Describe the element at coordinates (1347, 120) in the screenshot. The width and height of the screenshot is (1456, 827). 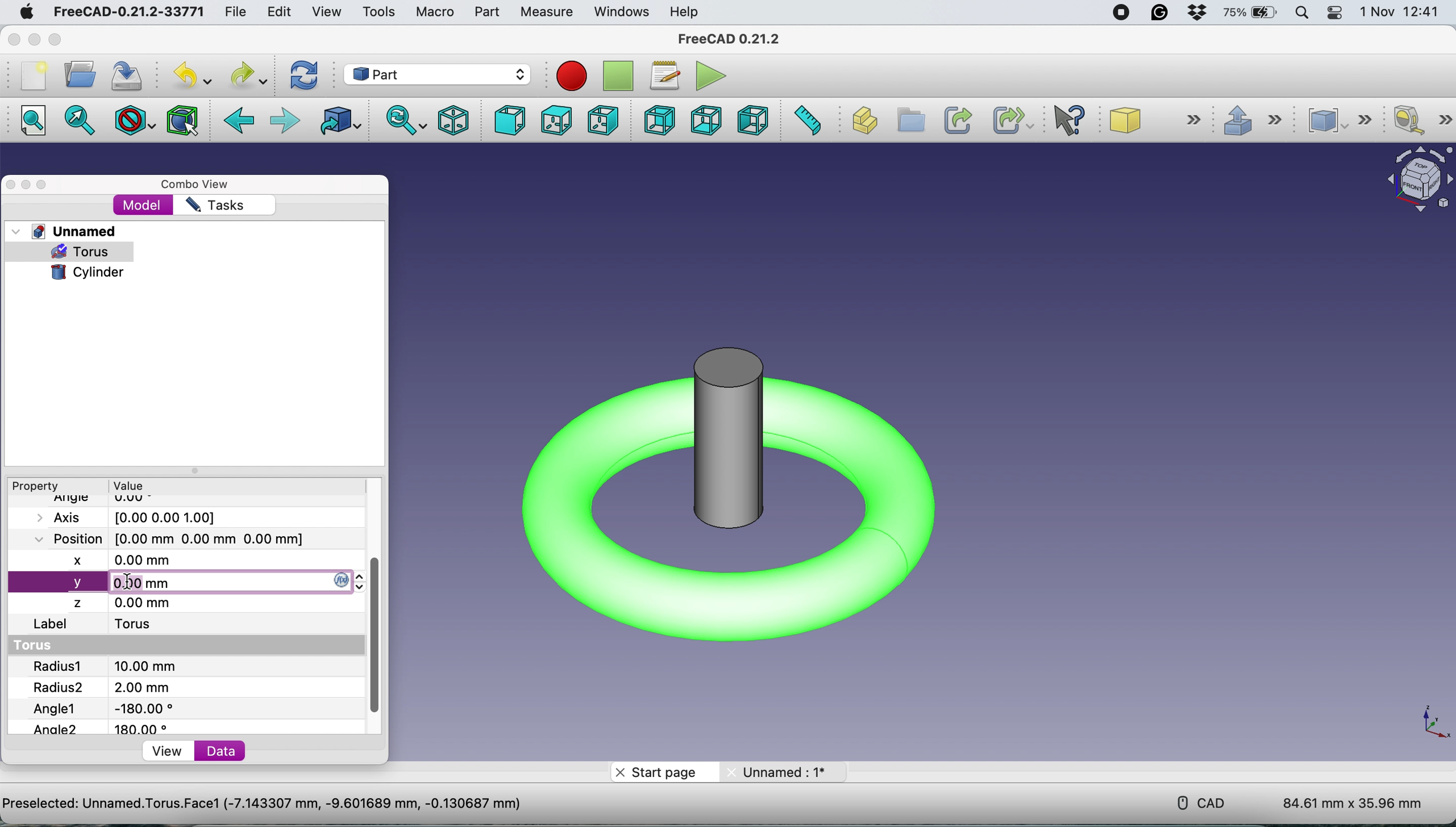
I see `compound tools` at that location.